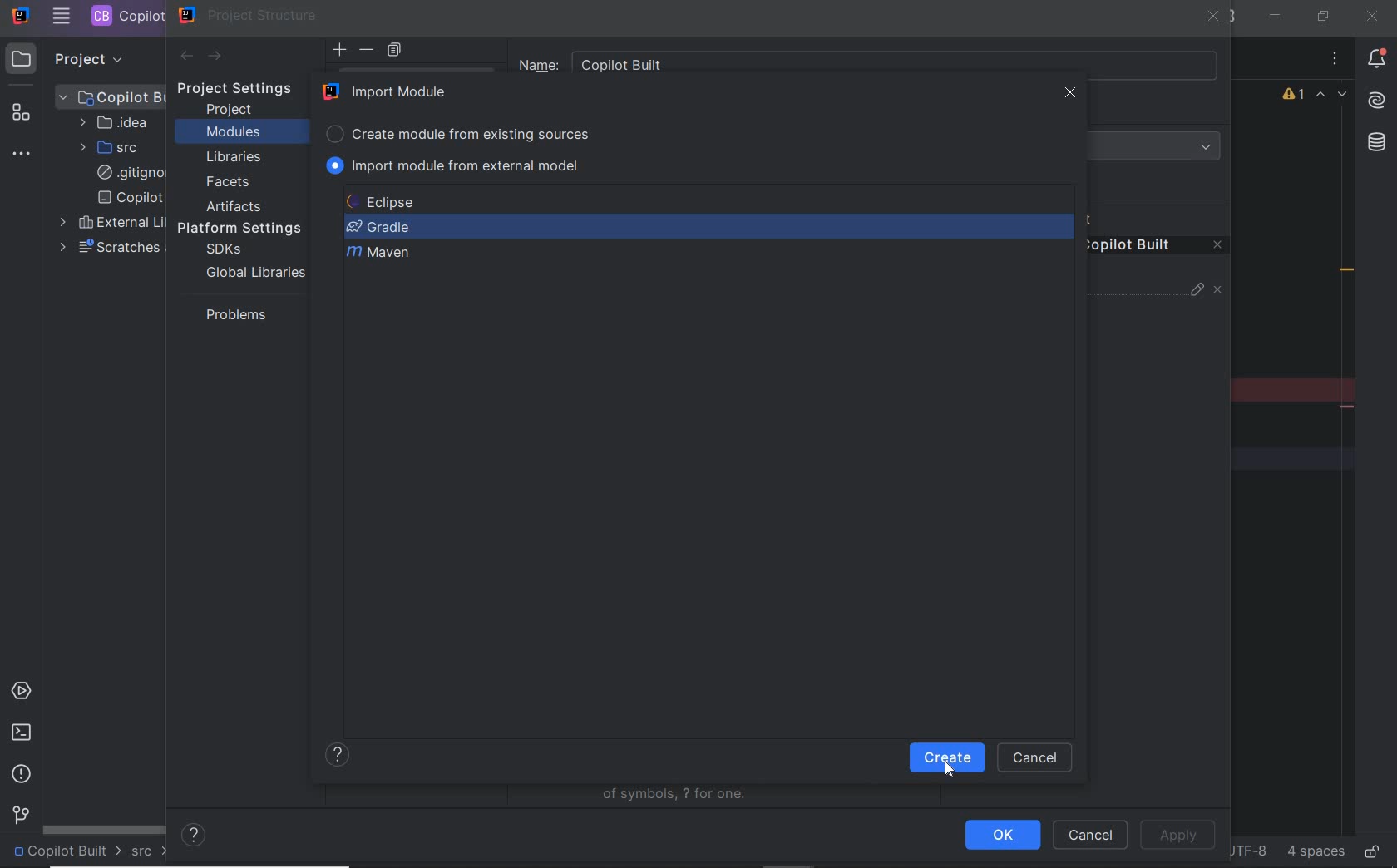  Describe the element at coordinates (126, 16) in the screenshot. I see `PROJECT FILE NAME` at that location.